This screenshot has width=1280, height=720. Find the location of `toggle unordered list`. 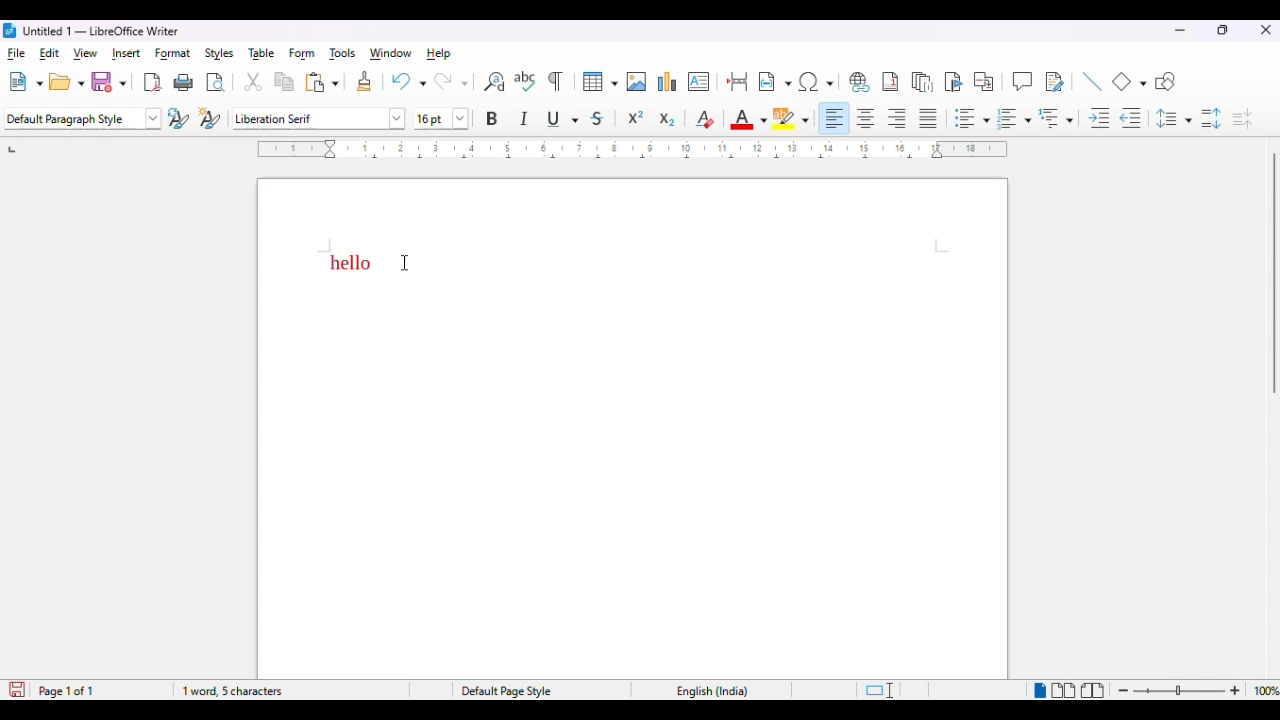

toggle unordered list is located at coordinates (971, 118).